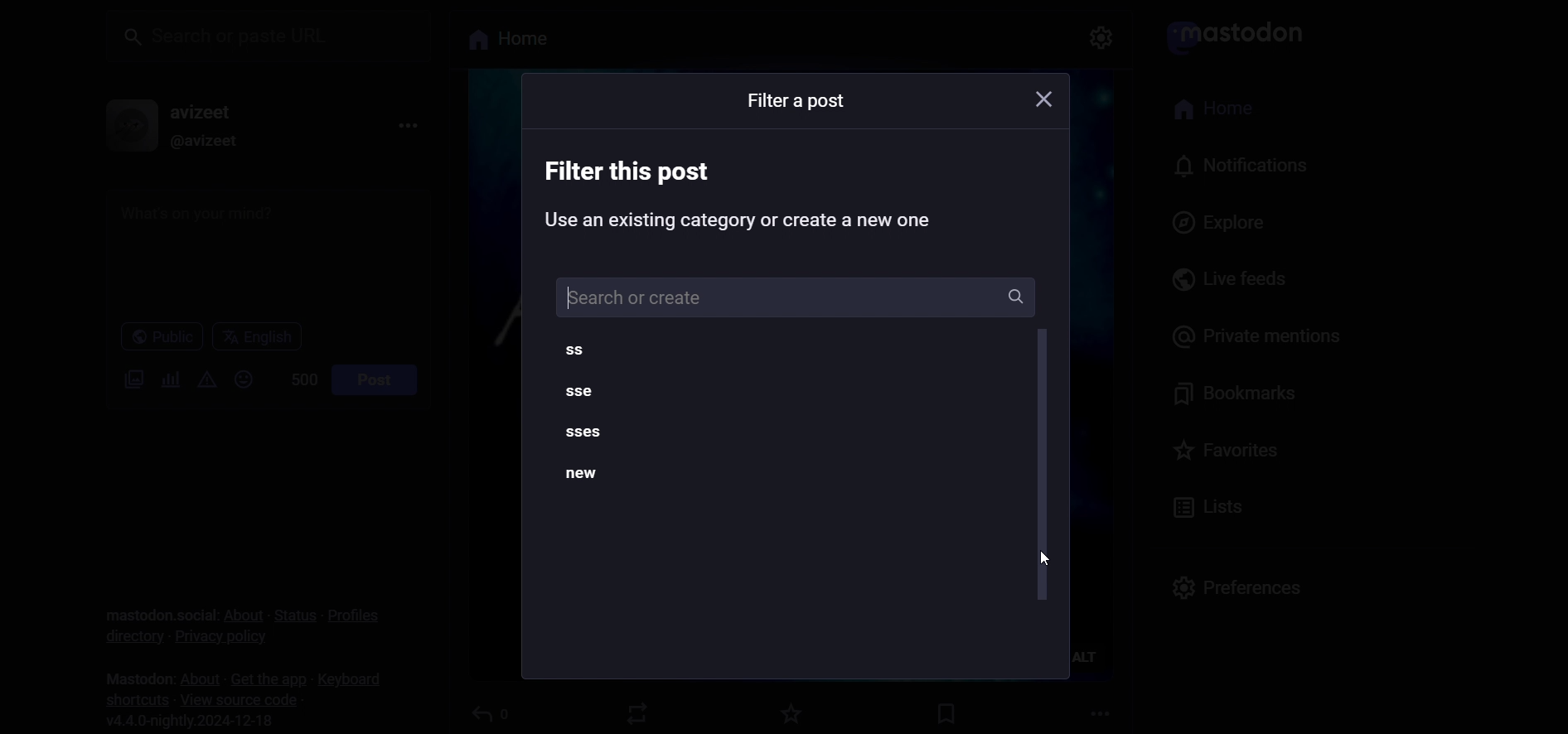 This screenshot has width=1568, height=734. Describe the element at coordinates (796, 101) in the screenshot. I see `text` at that location.